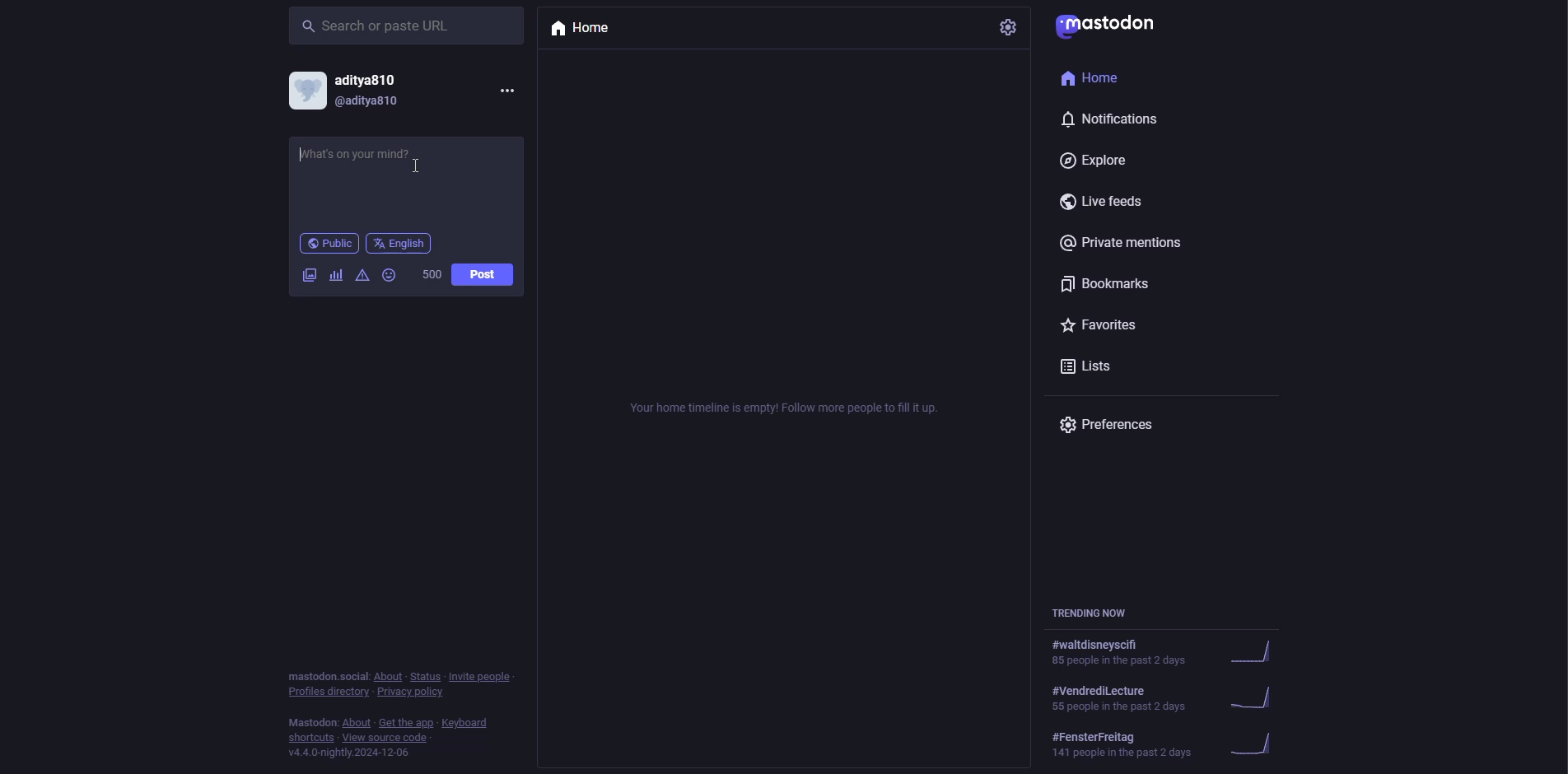  Describe the element at coordinates (583, 31) in the screenshot. I see `home` at that location.